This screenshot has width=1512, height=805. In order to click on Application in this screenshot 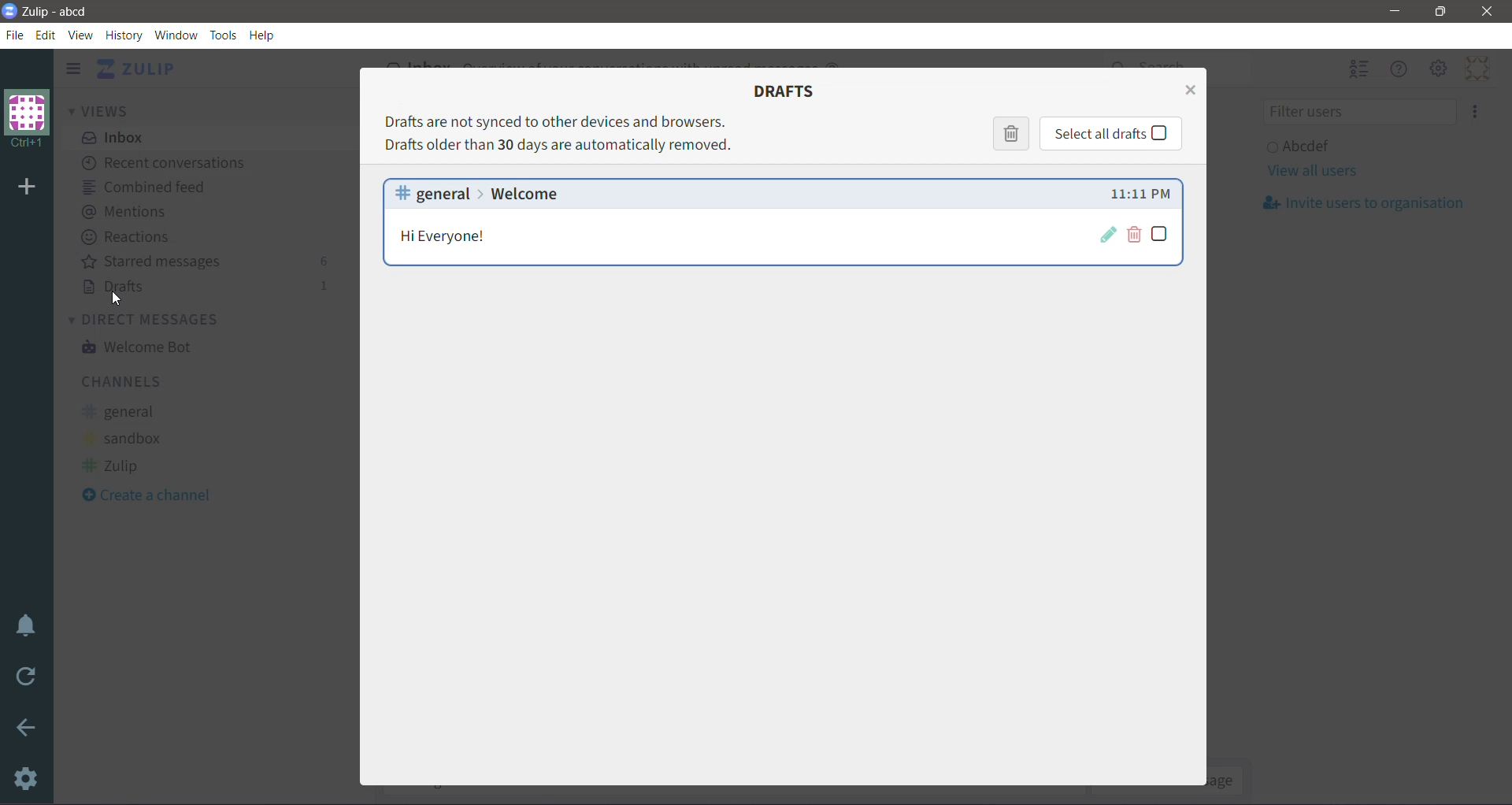, I will do `click(141, 69)`.